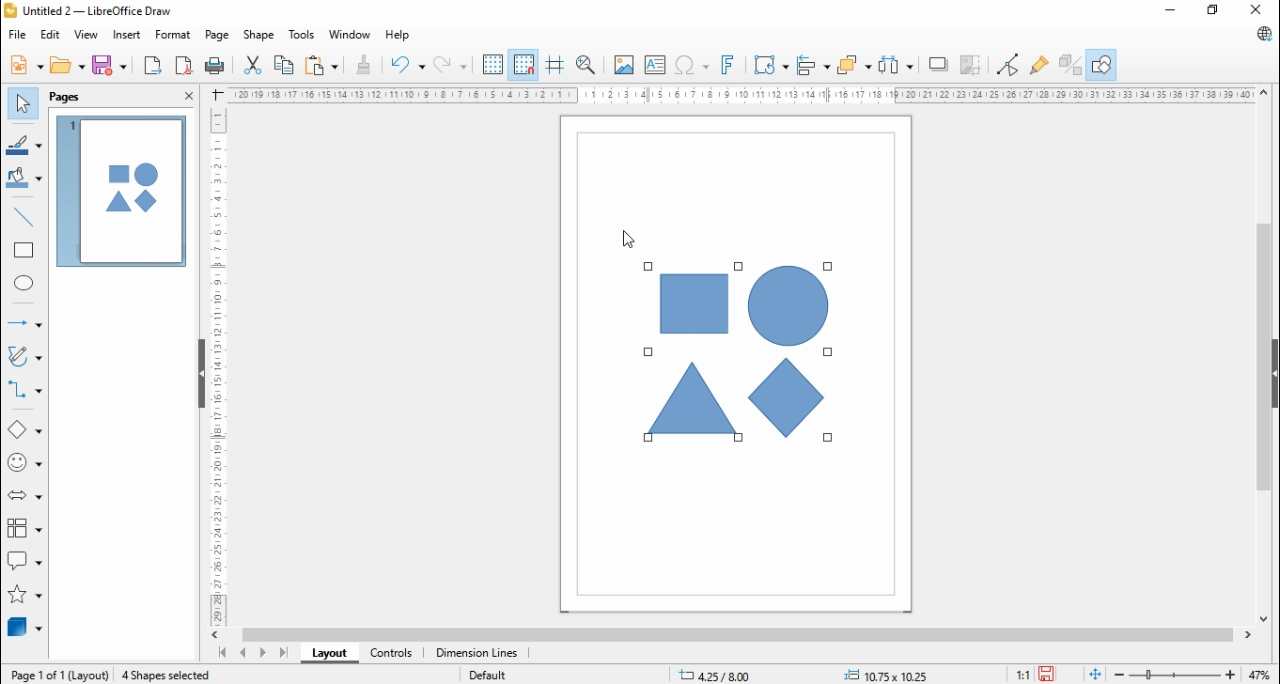  What do you see at coordinates (624, 66) in the screenshot?
I see `insert image` at bounding box center [624, 66].